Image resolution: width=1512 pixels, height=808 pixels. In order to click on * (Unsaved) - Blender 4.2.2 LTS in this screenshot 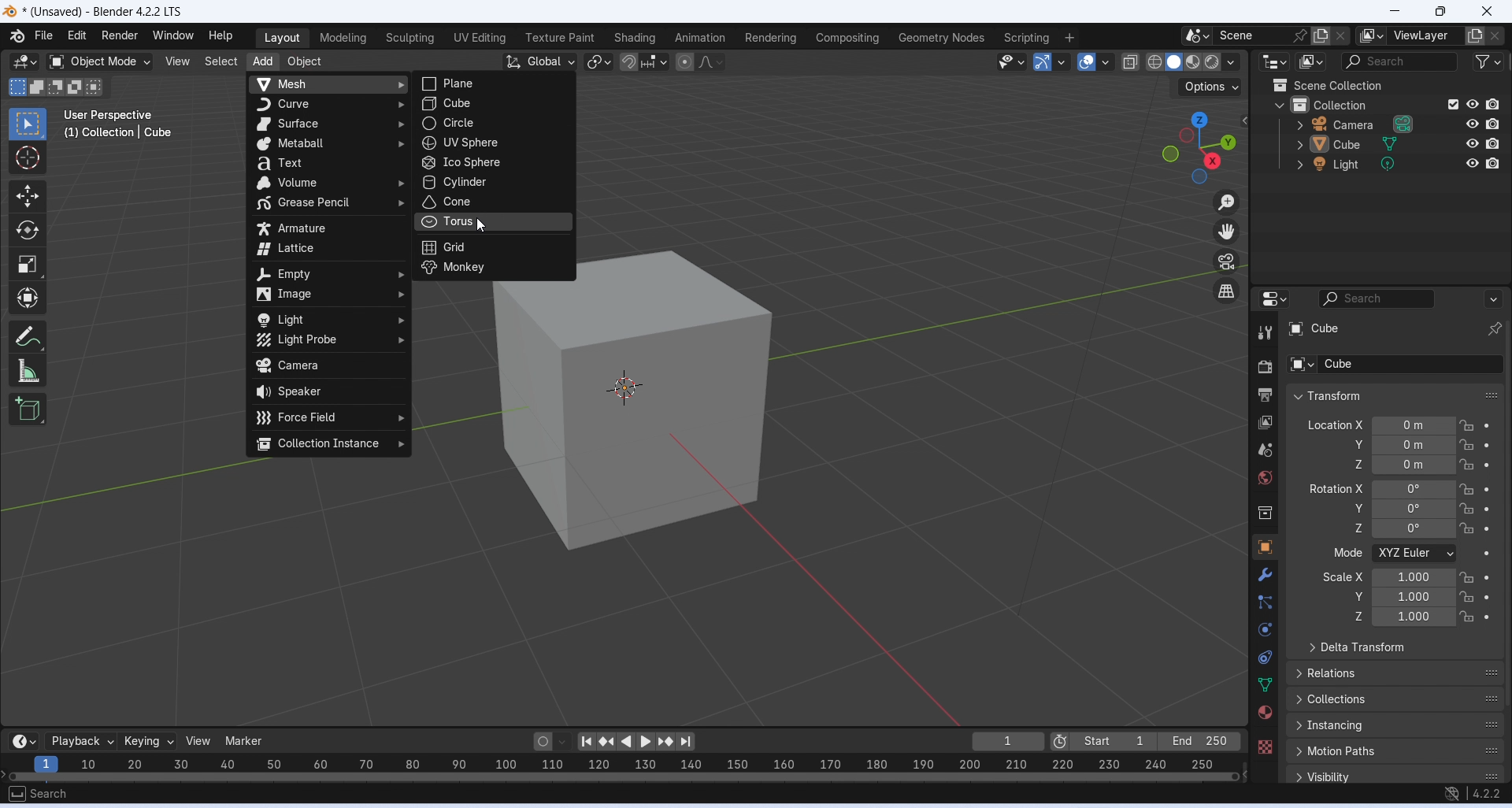, I will do `click(106, 12)`.